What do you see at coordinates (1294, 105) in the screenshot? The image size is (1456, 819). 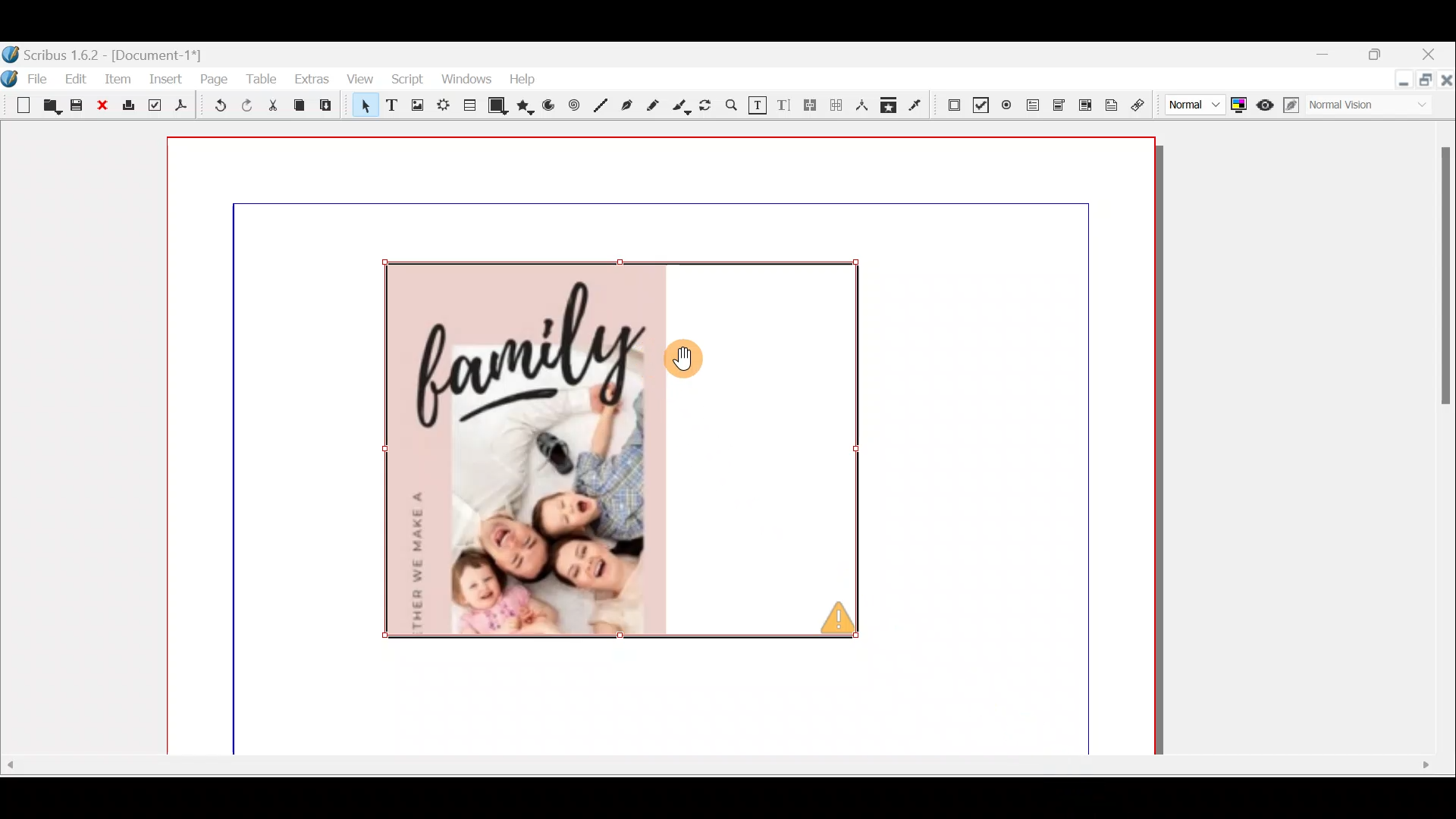 I see `Edit in preview mode` at bounding box center [1294, 105].